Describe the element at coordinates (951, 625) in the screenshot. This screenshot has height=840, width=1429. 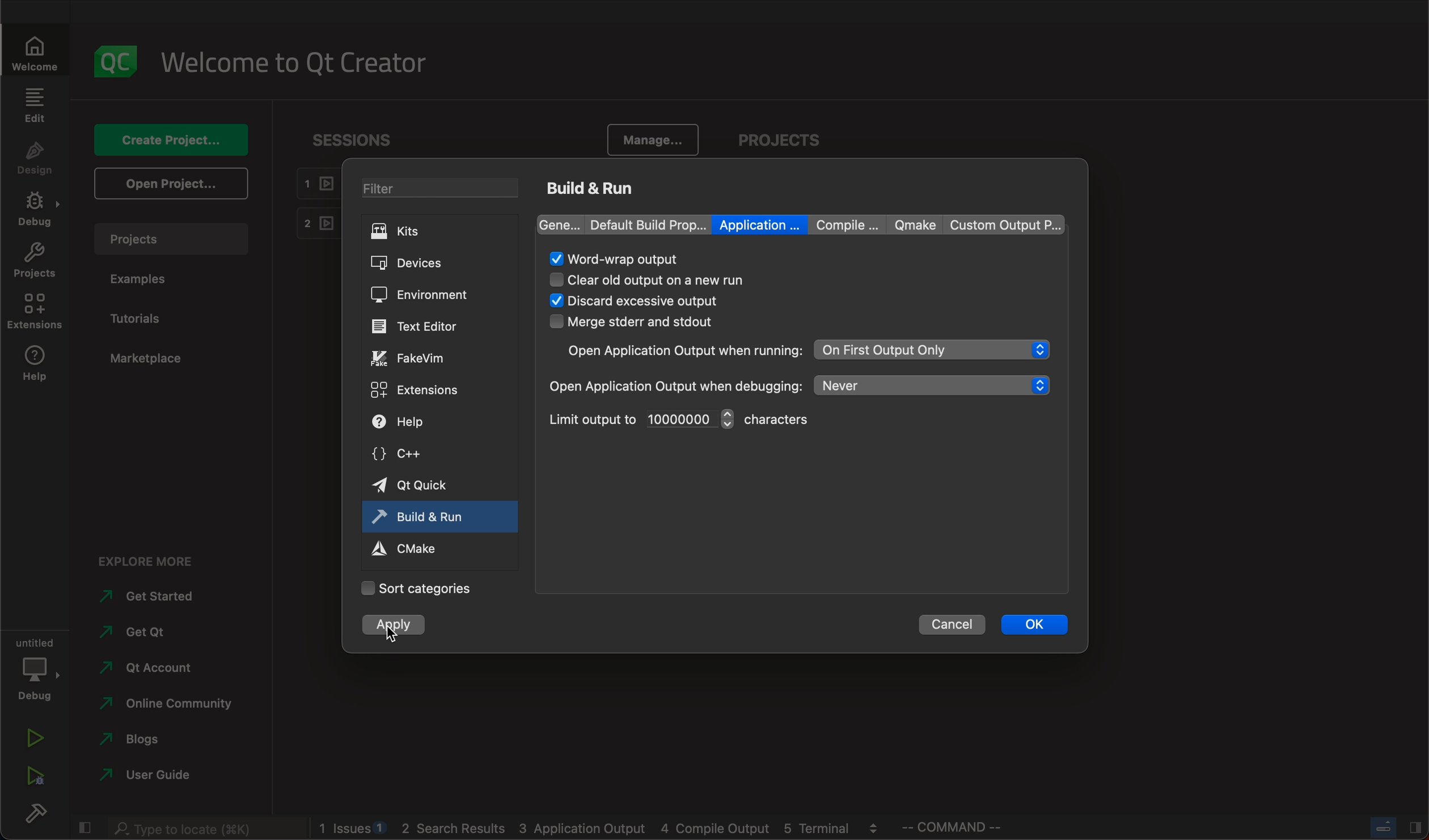
I see `cancel` at that location.